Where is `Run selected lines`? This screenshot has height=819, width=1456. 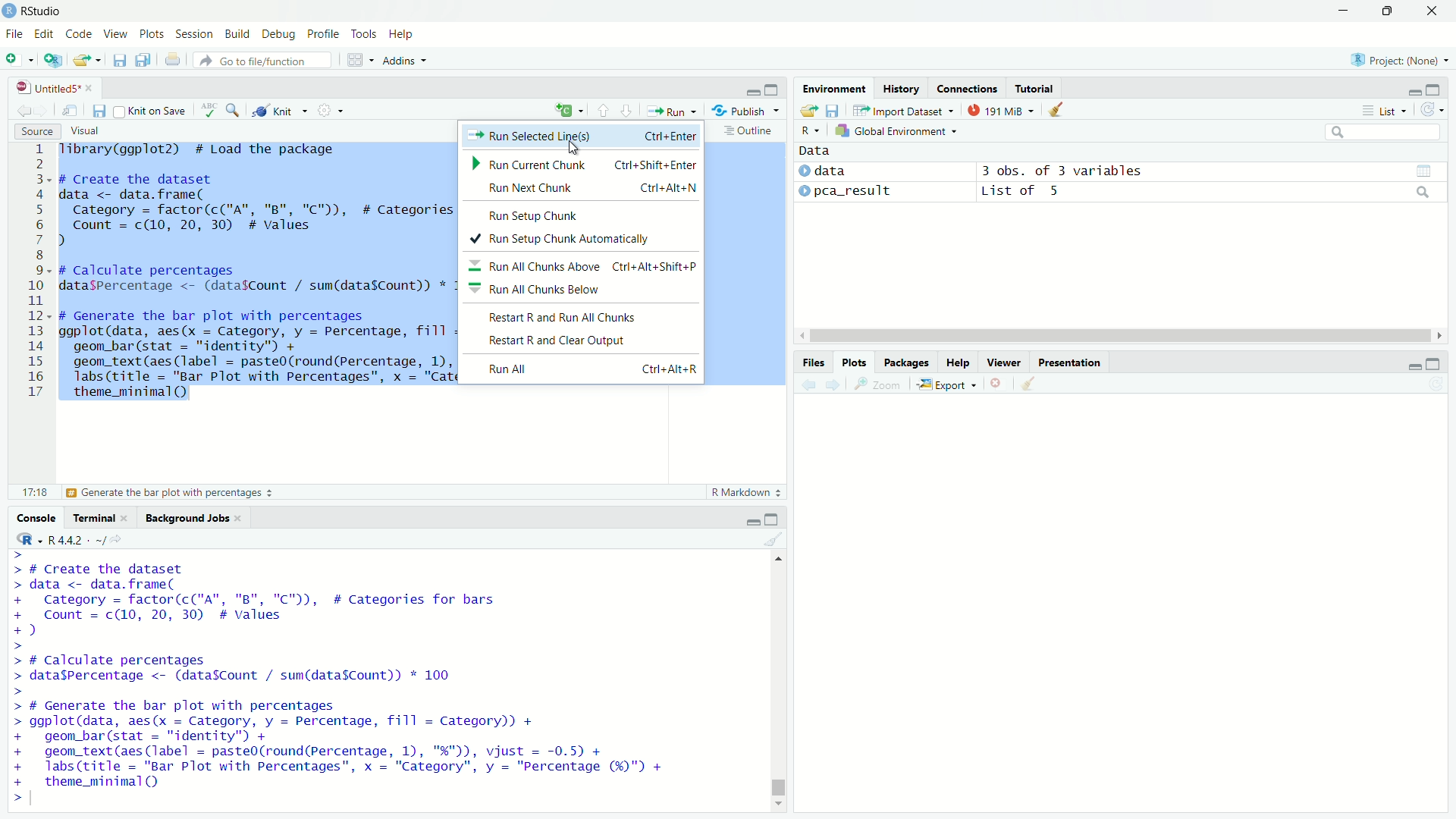 Run selected lines is located at coordinates (580, 136).